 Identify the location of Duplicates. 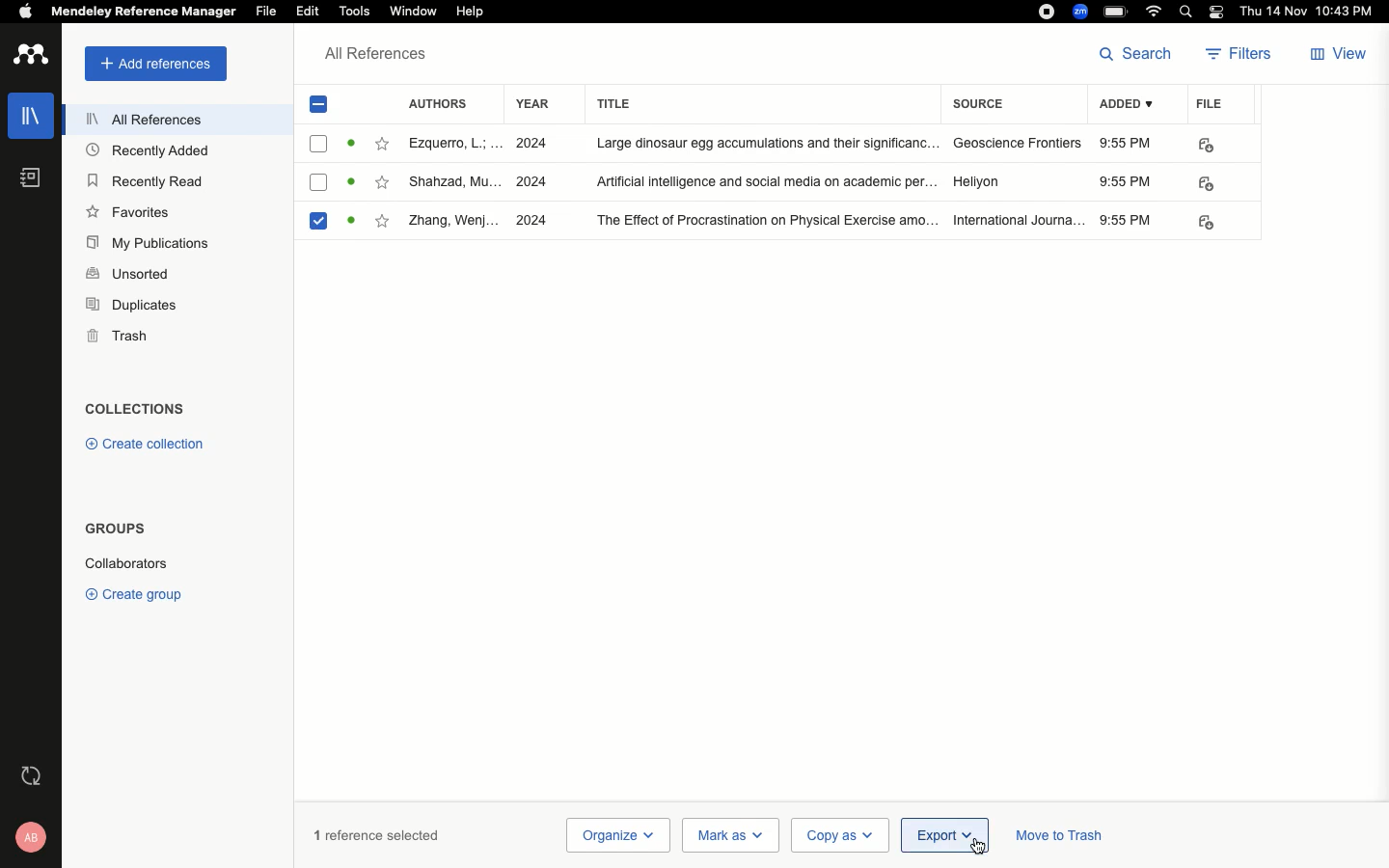
(133, 307).